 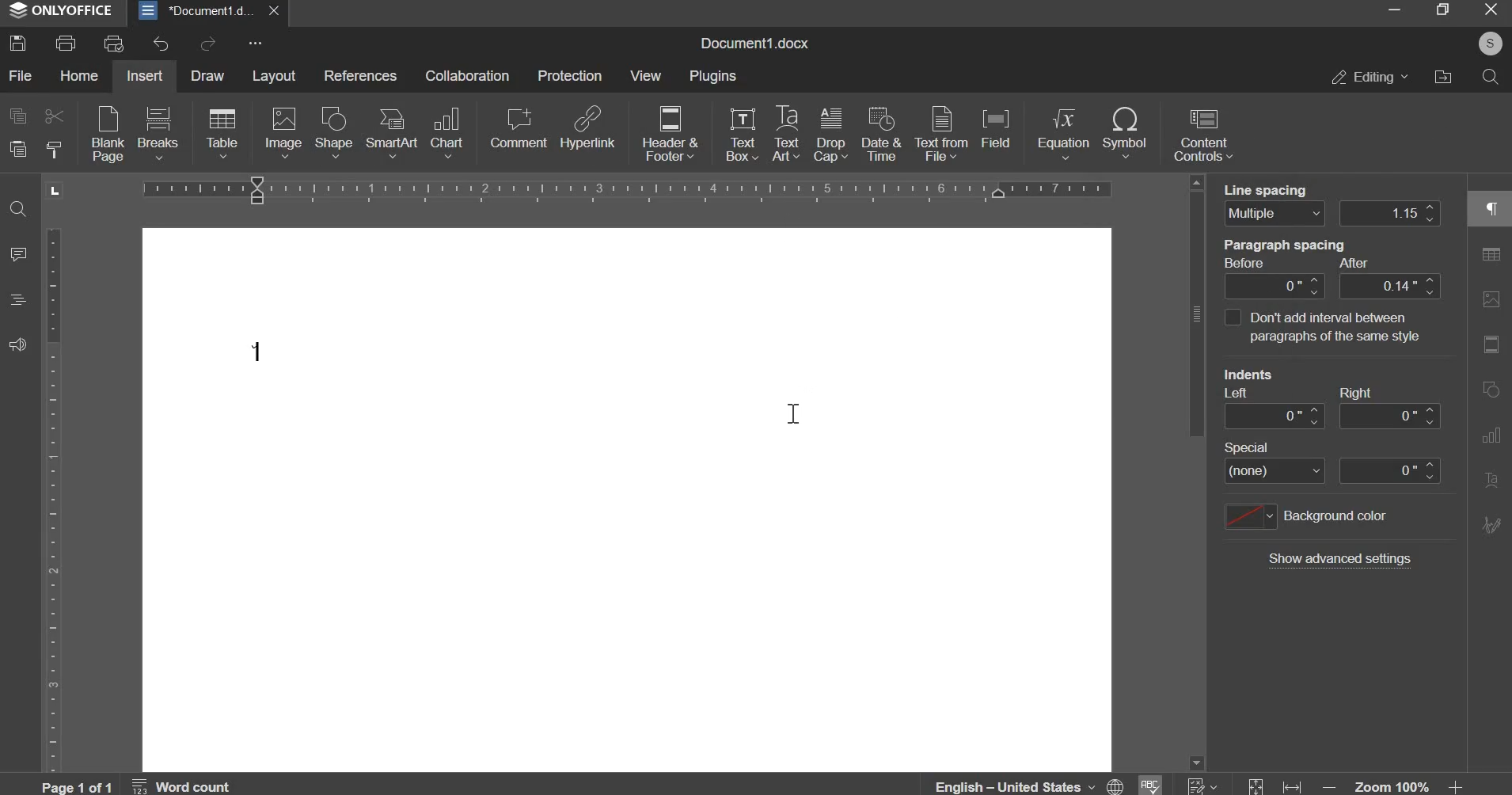 What do you see at coordinates (832, 133) in the screenshot?
I see `drop cap` at bounding box center [832, 133].